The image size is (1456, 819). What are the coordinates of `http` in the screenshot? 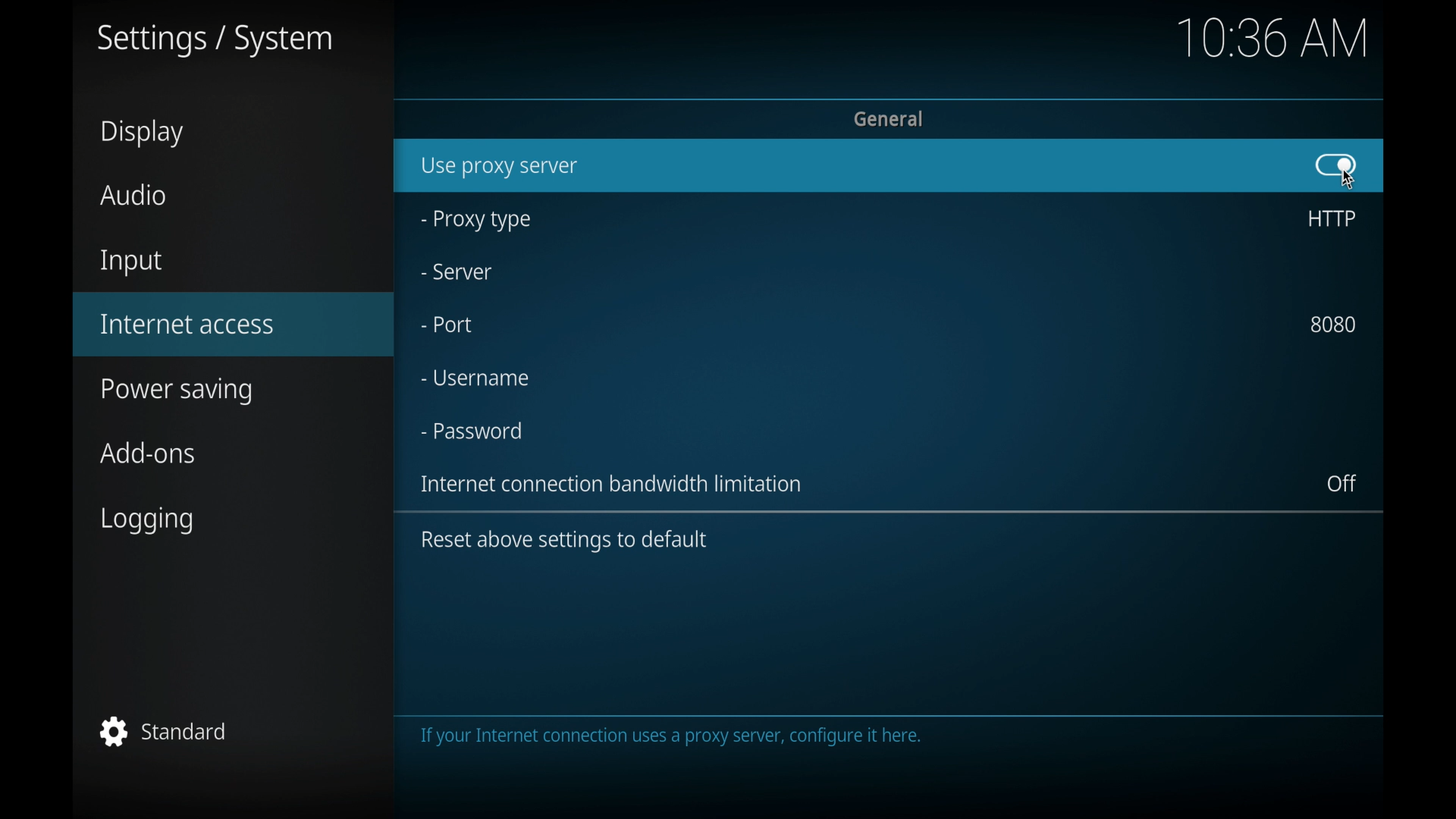 It's located at (1330, 218).